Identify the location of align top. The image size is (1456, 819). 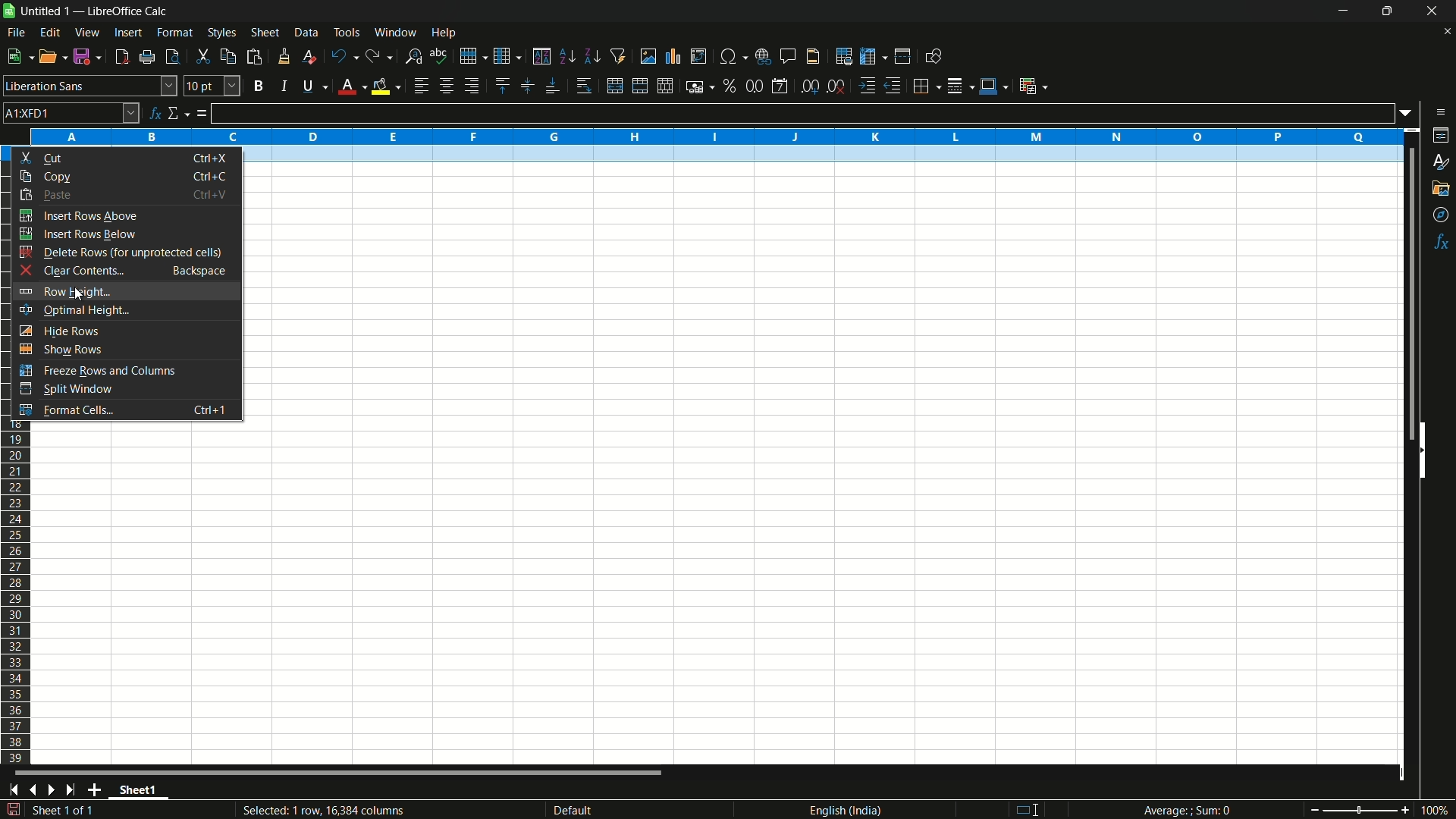
(501, 86).